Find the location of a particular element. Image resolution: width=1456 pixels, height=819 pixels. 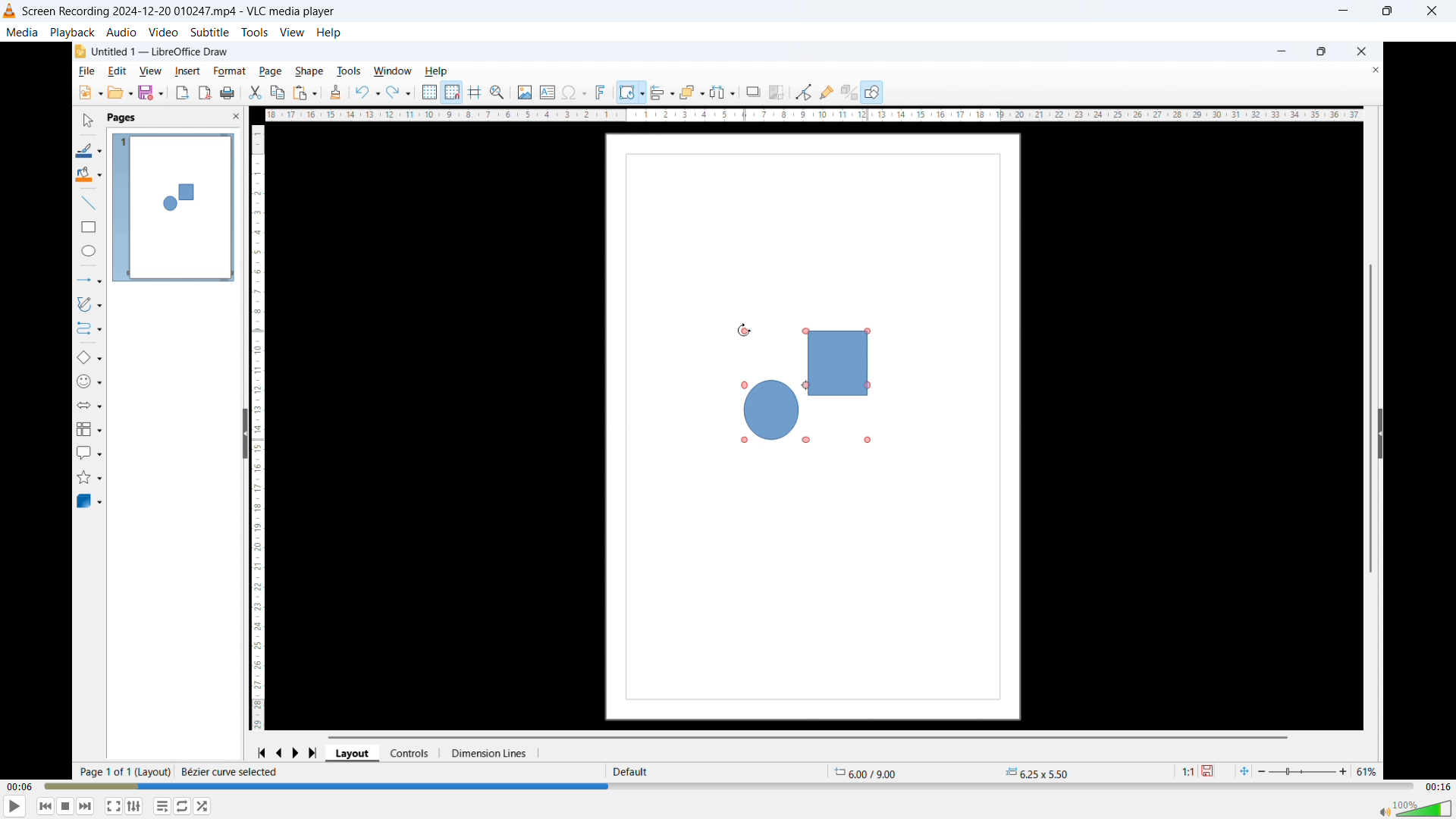

Time bar  is located at coordinates (730, 785).